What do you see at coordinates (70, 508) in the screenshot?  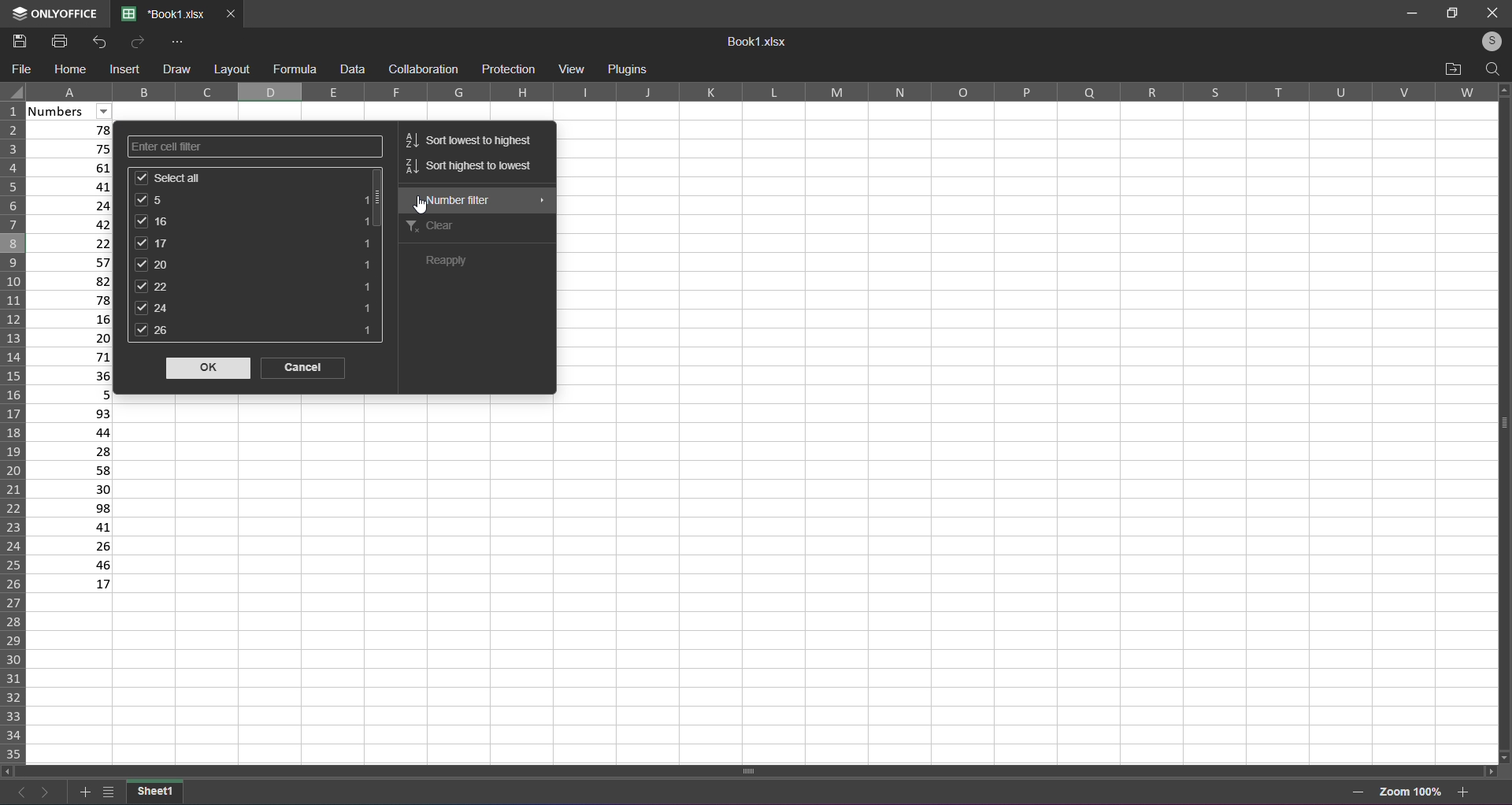 I see `98` at bounding box center [70, 508].